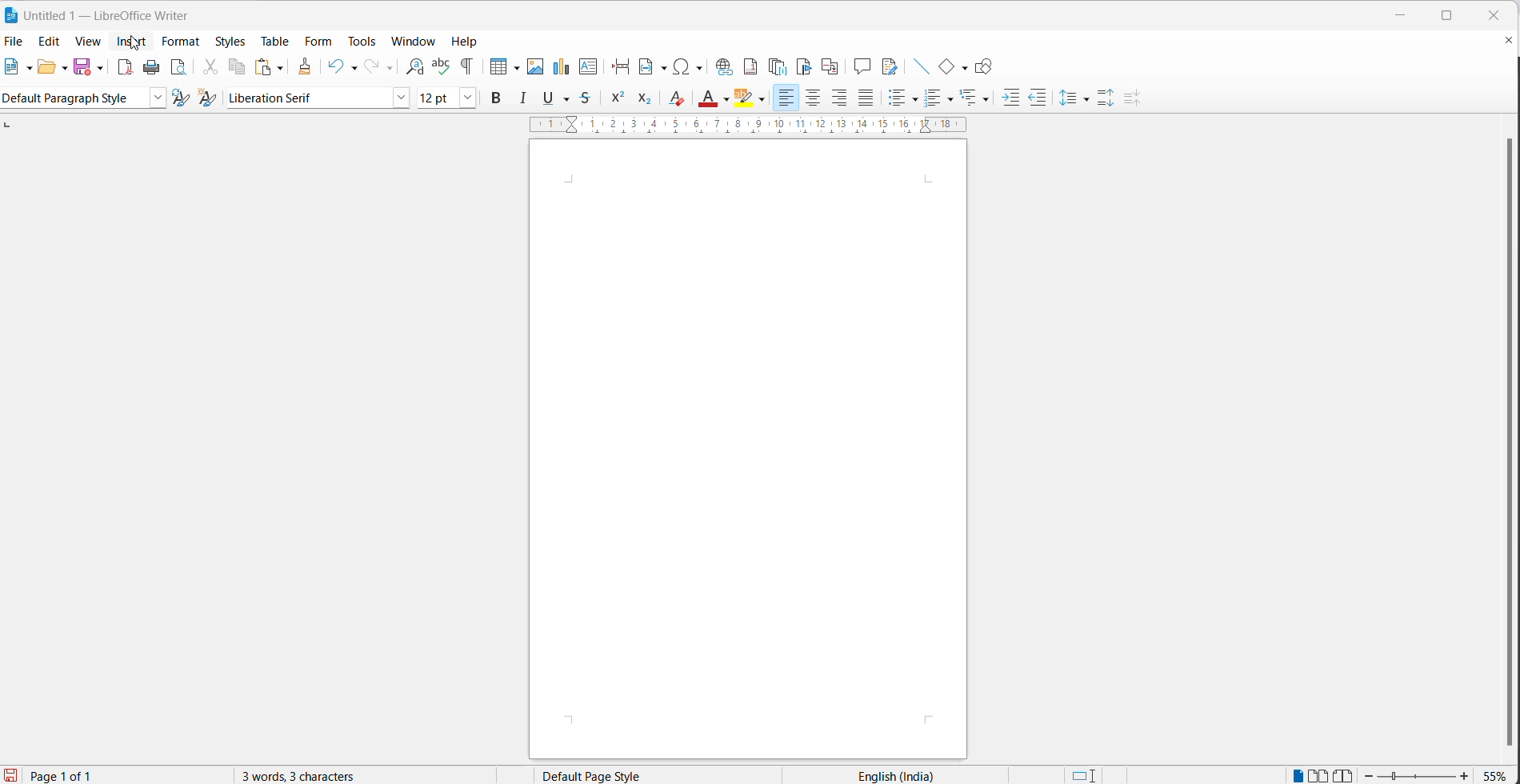  Describe the element at coordinates (619, 98) in the screenshot. I see `superscript` at that location.